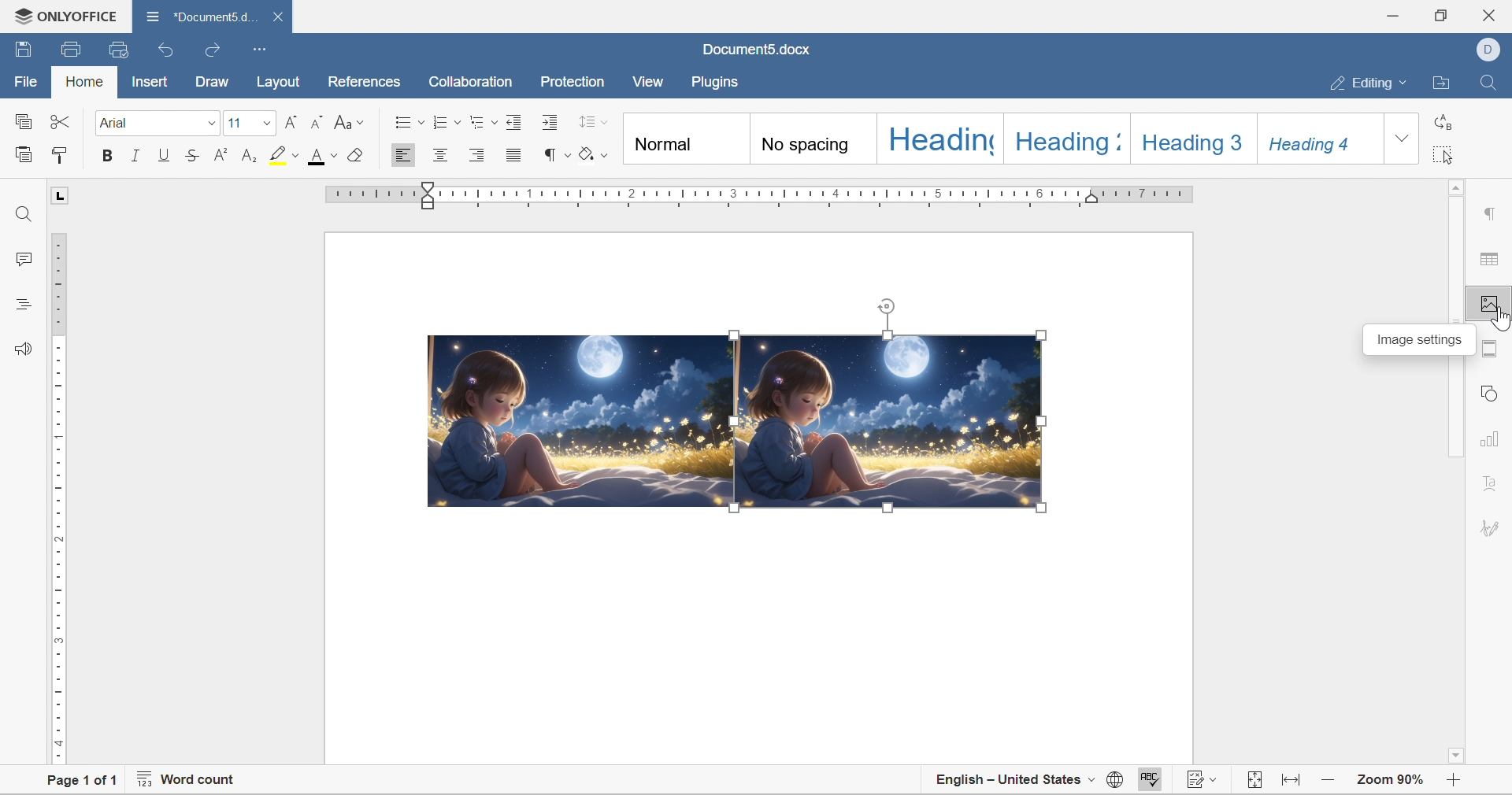 This screenshot has width=1512, height=795. Describe the element at coordinates (1403, 138) in the screenshot. I see `drop down` at that location.